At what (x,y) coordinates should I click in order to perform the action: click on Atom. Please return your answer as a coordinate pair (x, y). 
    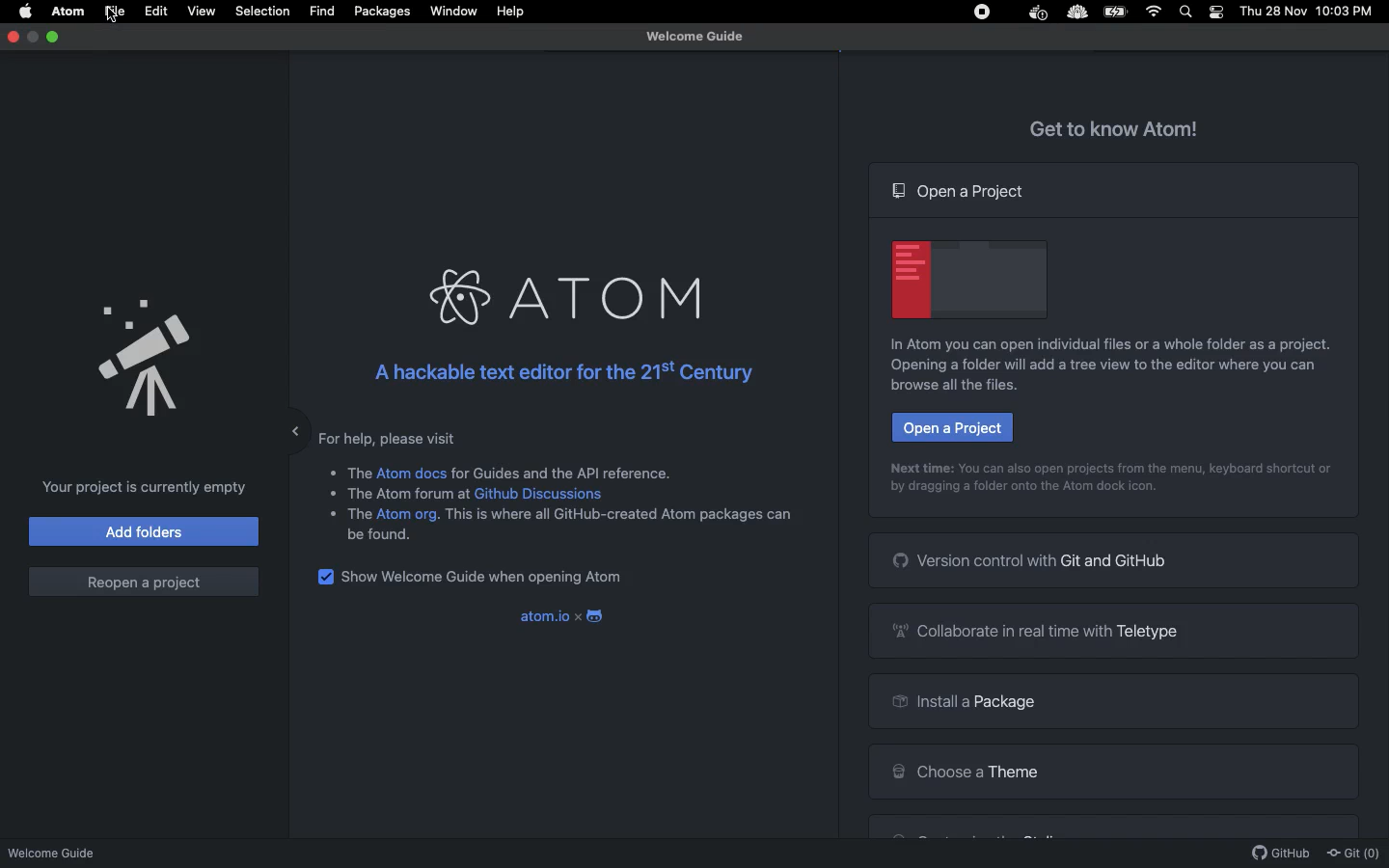
    Looking at the image, I should click on (69, 12).